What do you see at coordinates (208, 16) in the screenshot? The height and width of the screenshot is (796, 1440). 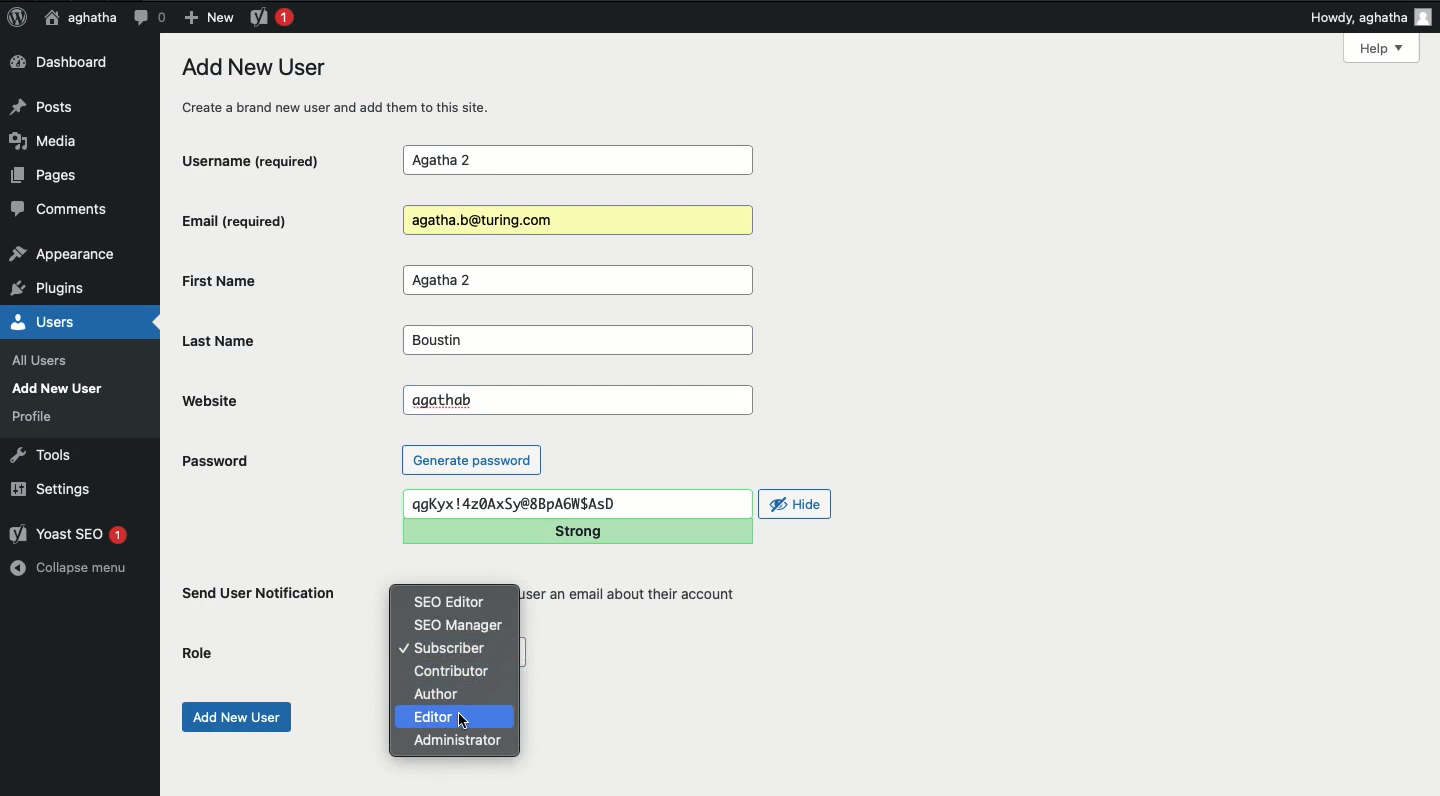 I see `New` at bounding box center [208, 16].